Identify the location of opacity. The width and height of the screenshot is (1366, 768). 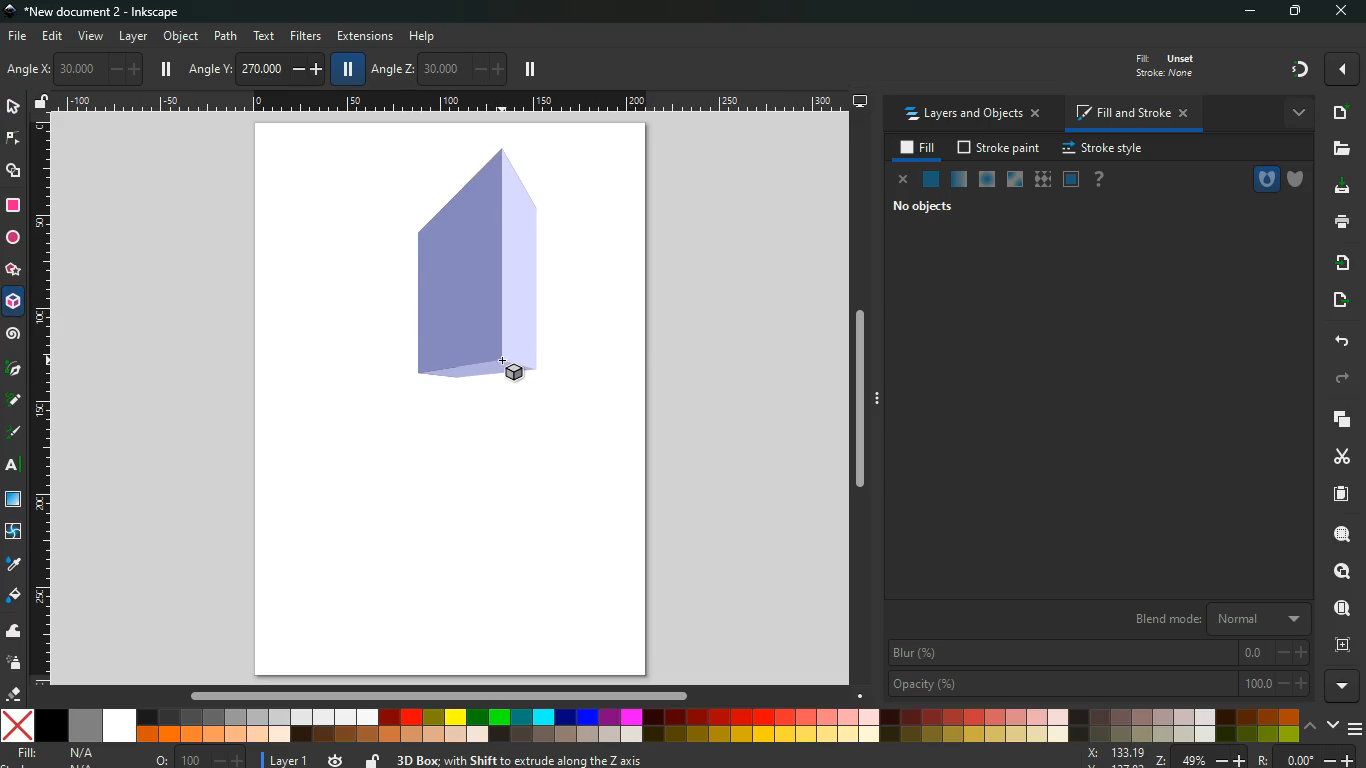
(959, 180).